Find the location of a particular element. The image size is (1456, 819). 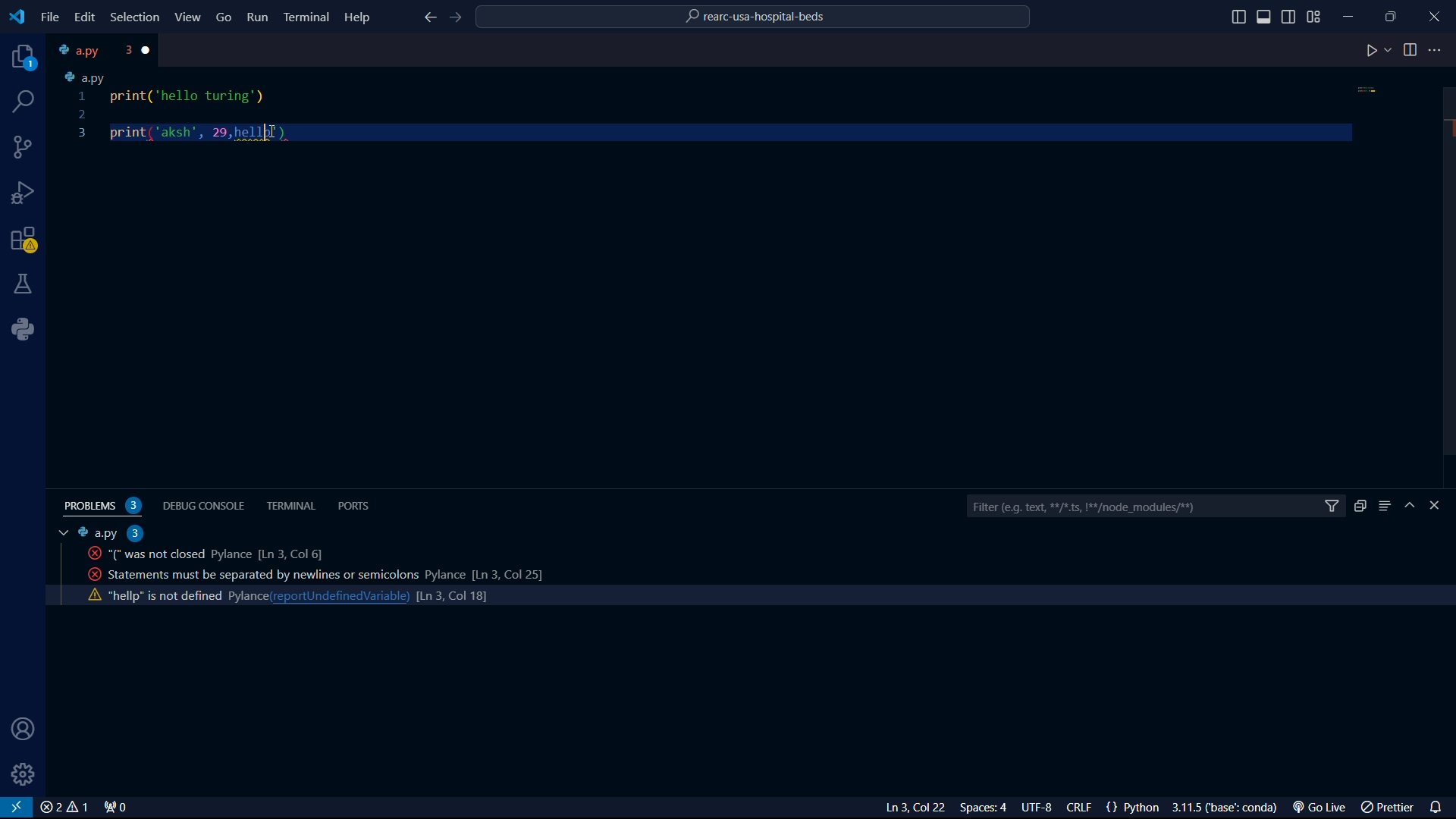

more options is located at coordinates (1437, 50).